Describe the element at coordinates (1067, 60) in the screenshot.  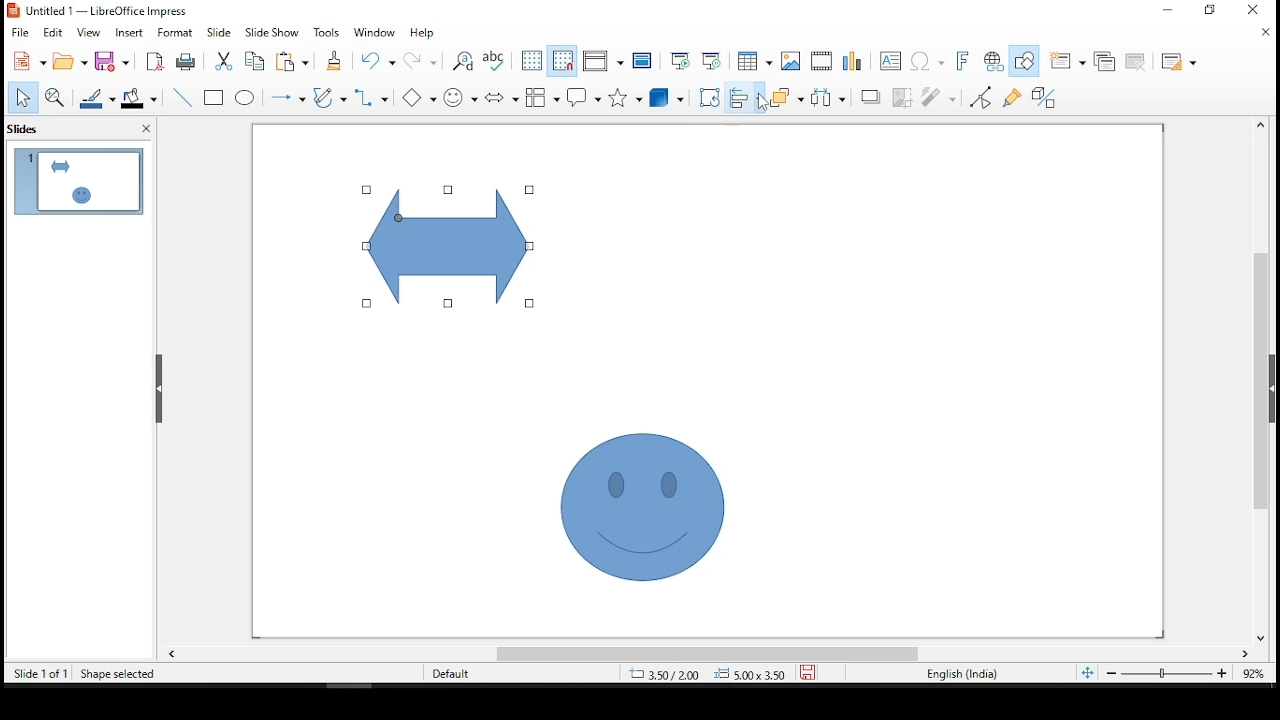
I see `new slide` at that location.